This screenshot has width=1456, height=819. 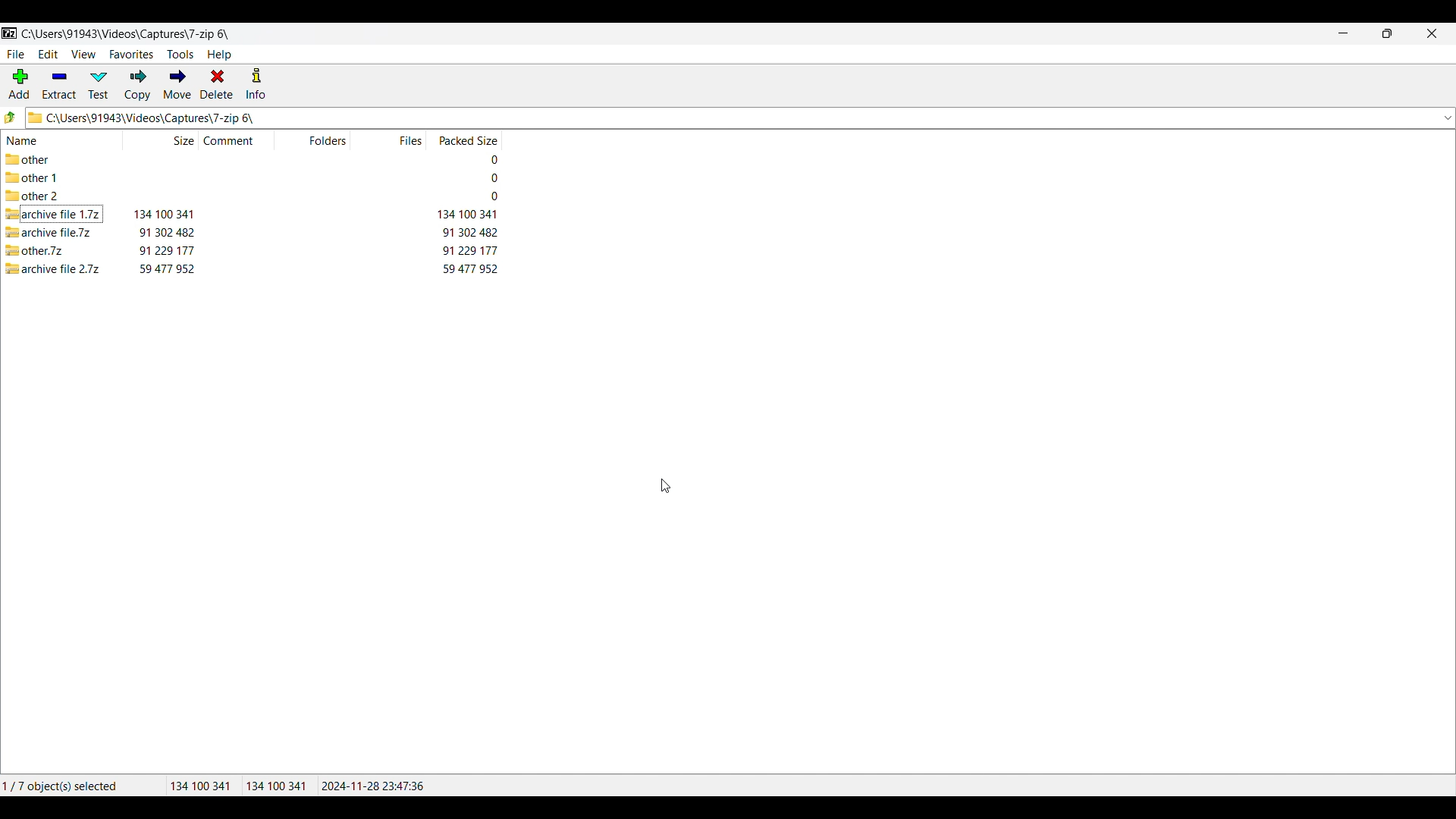 I want to click on packed size, so click(x=488, y=178).